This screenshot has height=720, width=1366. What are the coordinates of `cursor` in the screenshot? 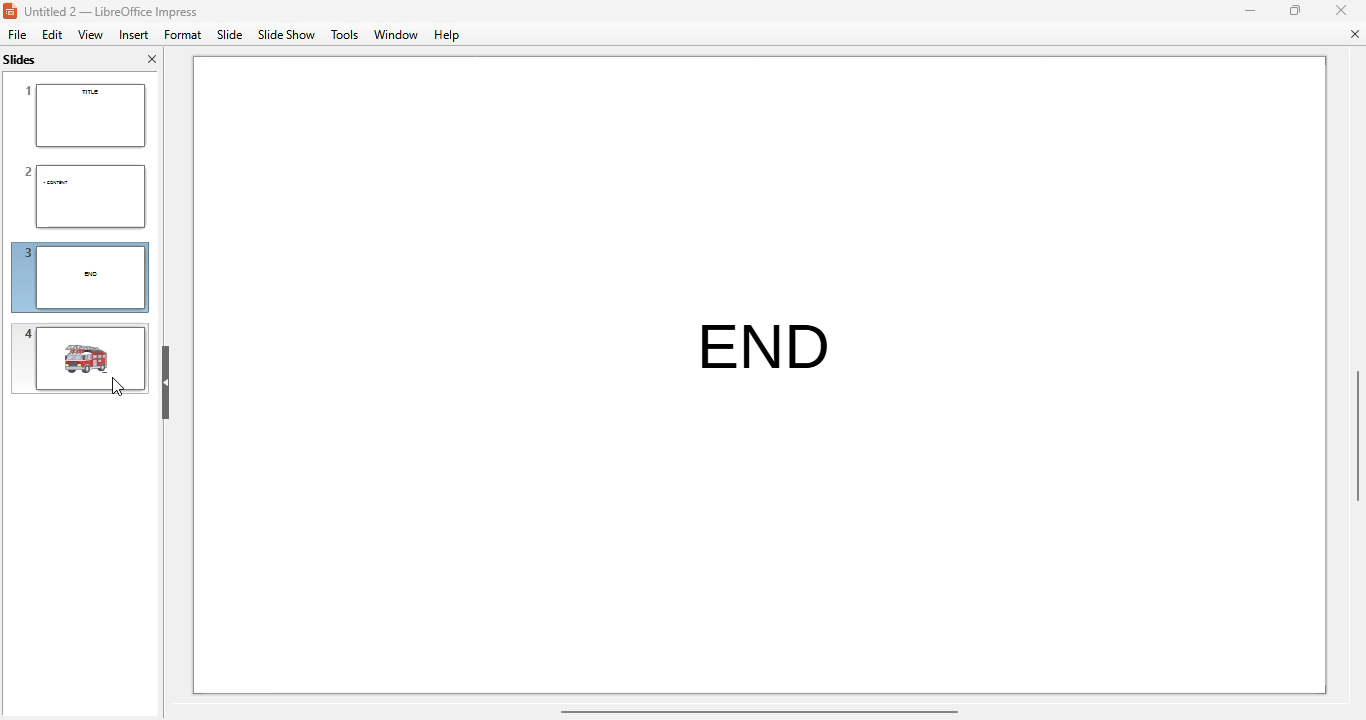 It's located at (117, 386).